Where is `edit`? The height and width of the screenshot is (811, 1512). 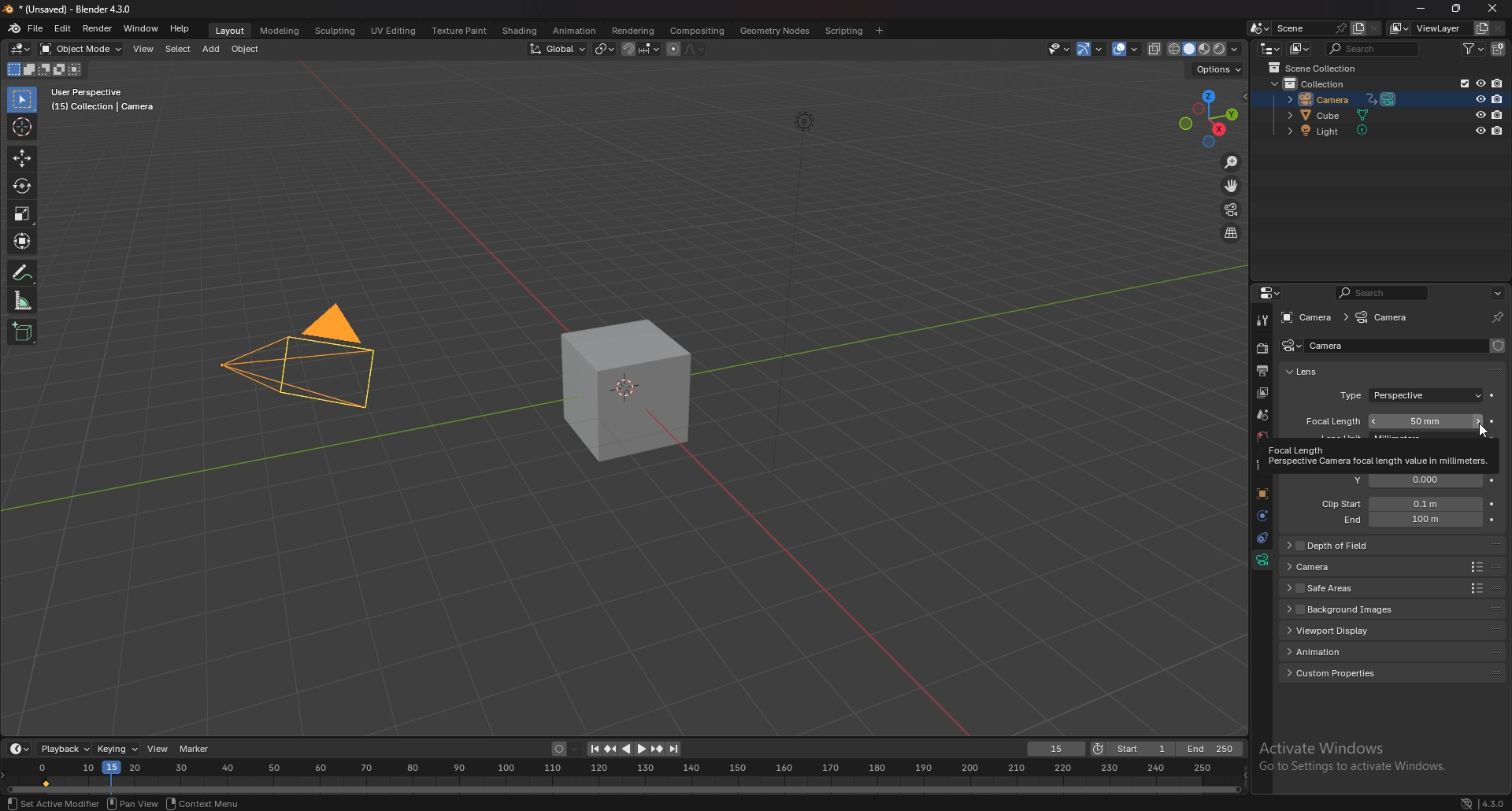
edit is located at coordinates (64, 28).